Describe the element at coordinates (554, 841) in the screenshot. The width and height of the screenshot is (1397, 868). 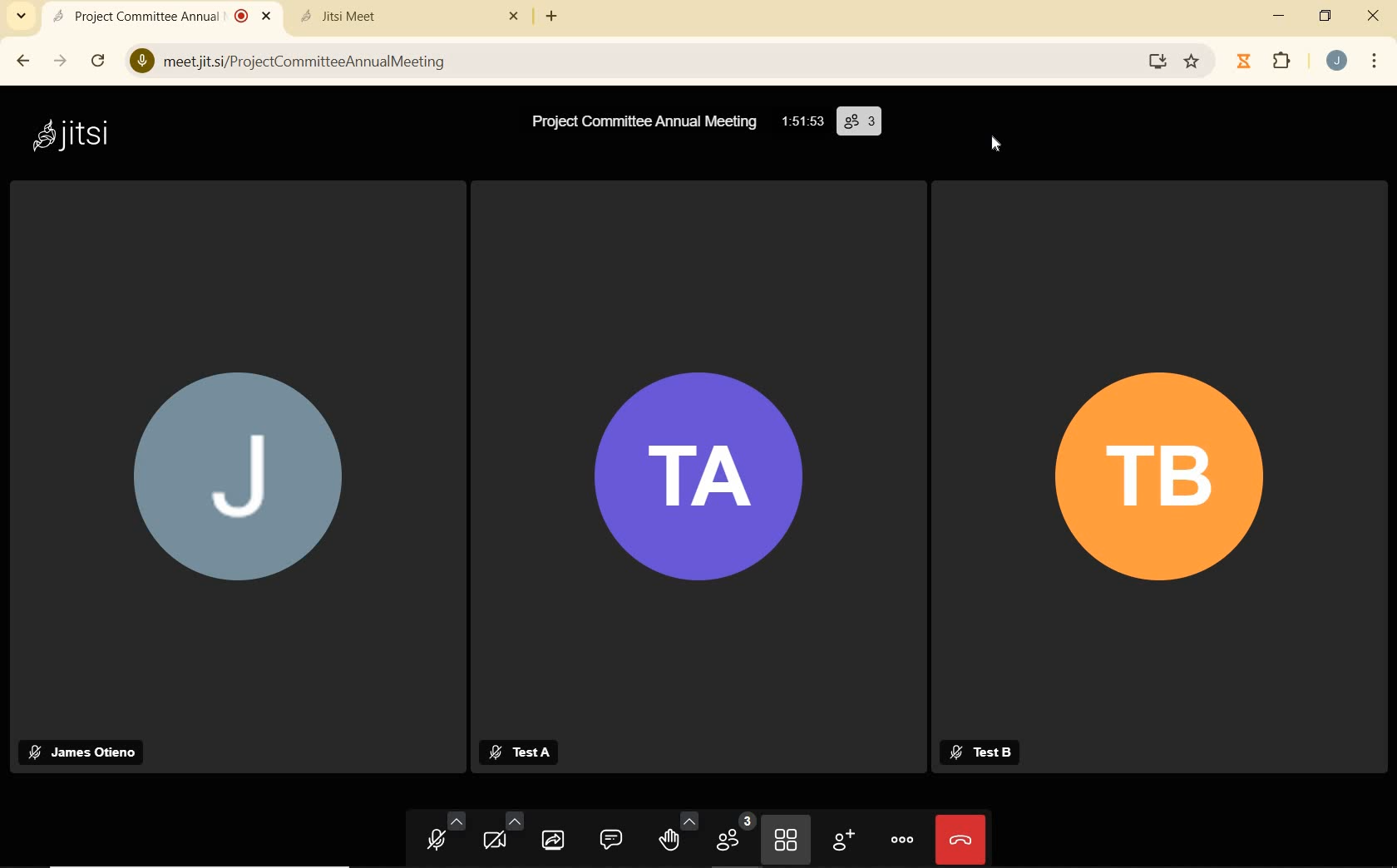
I see `start screen sharing` at that location.